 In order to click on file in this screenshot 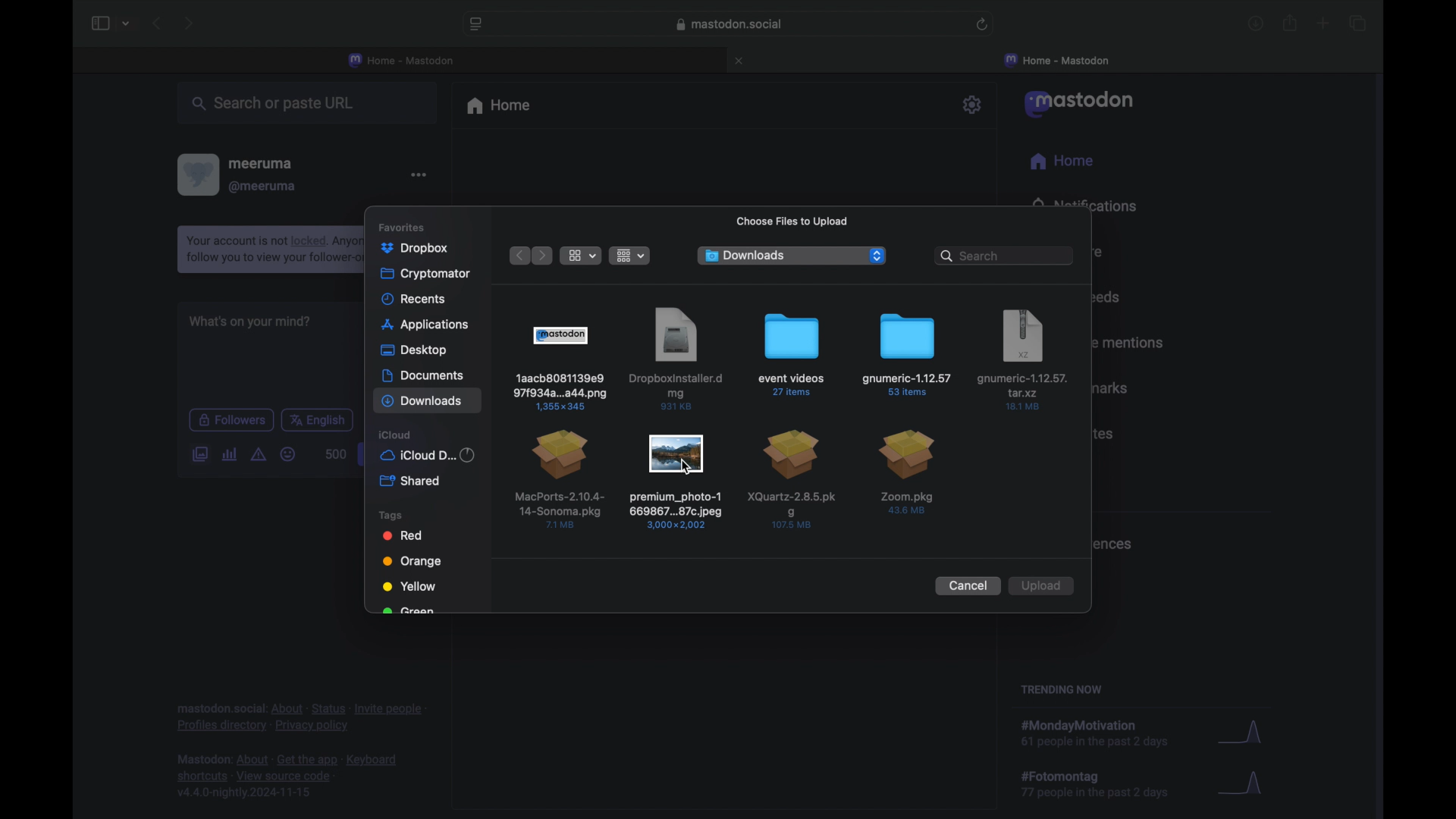, I will do `click(793, 481)`.